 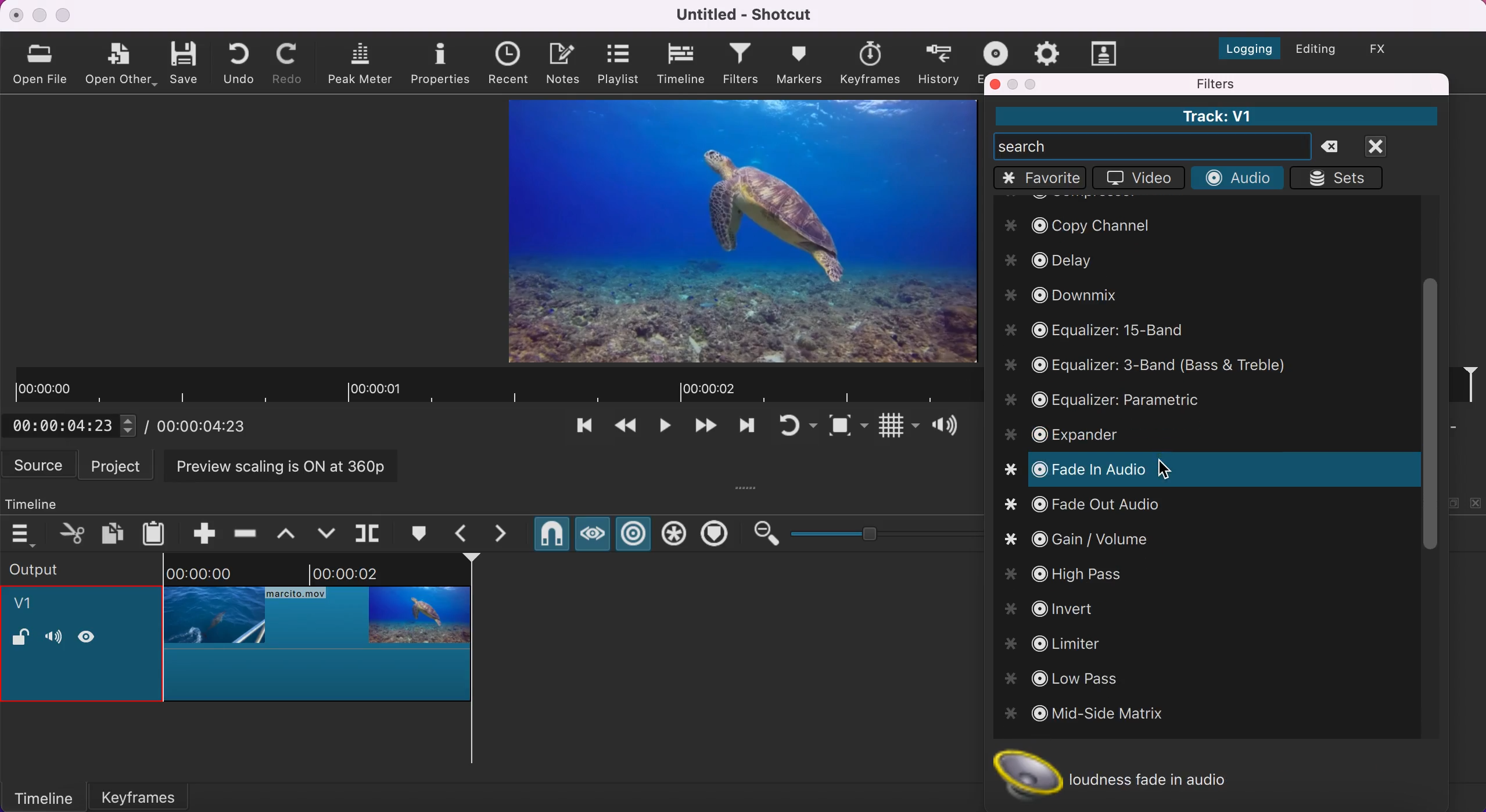 I want to click on undo, so click(x=242, y=62).